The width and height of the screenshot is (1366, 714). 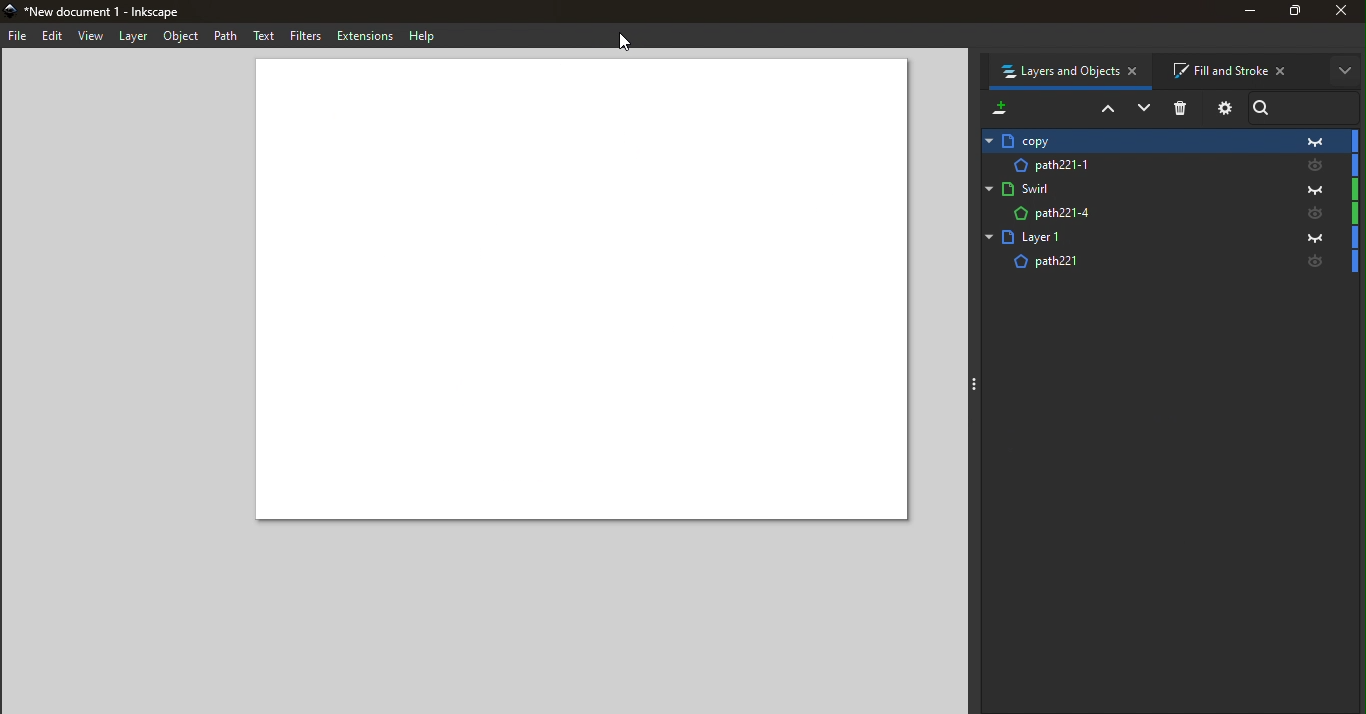 I want to click on View, so click(x=91, y=37).